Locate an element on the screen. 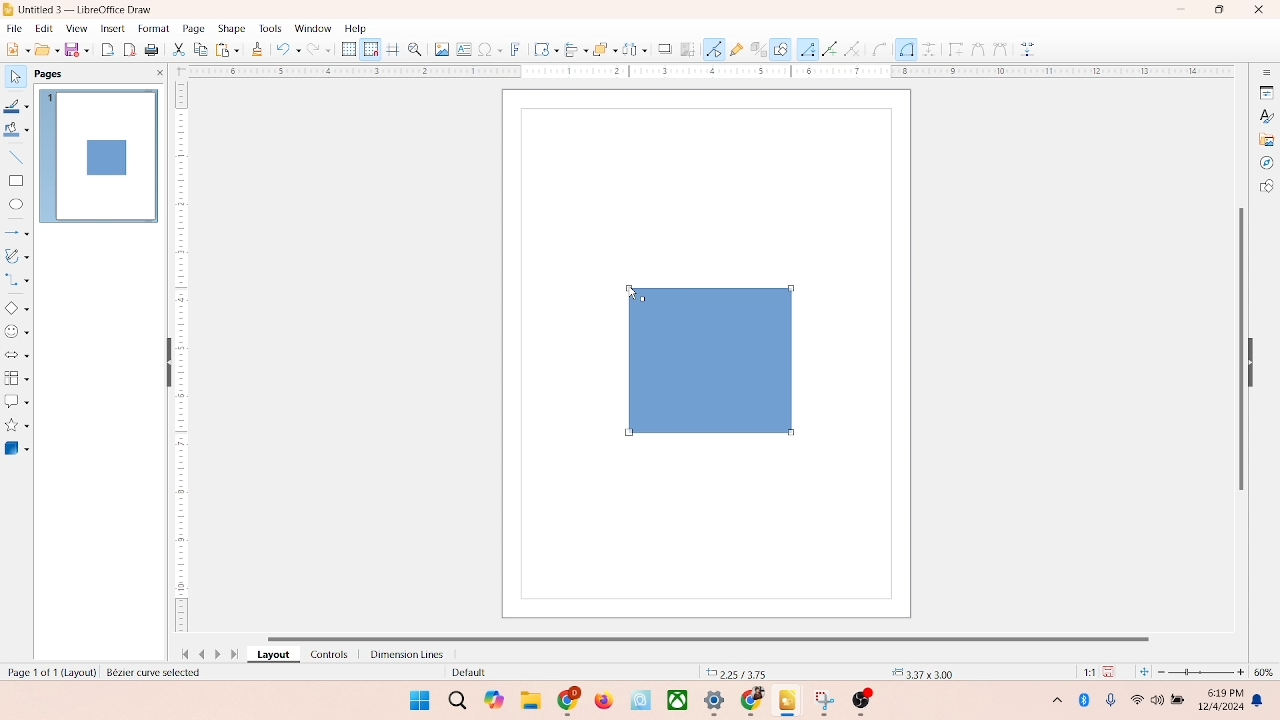  hide is located at coordinates (165, 364).